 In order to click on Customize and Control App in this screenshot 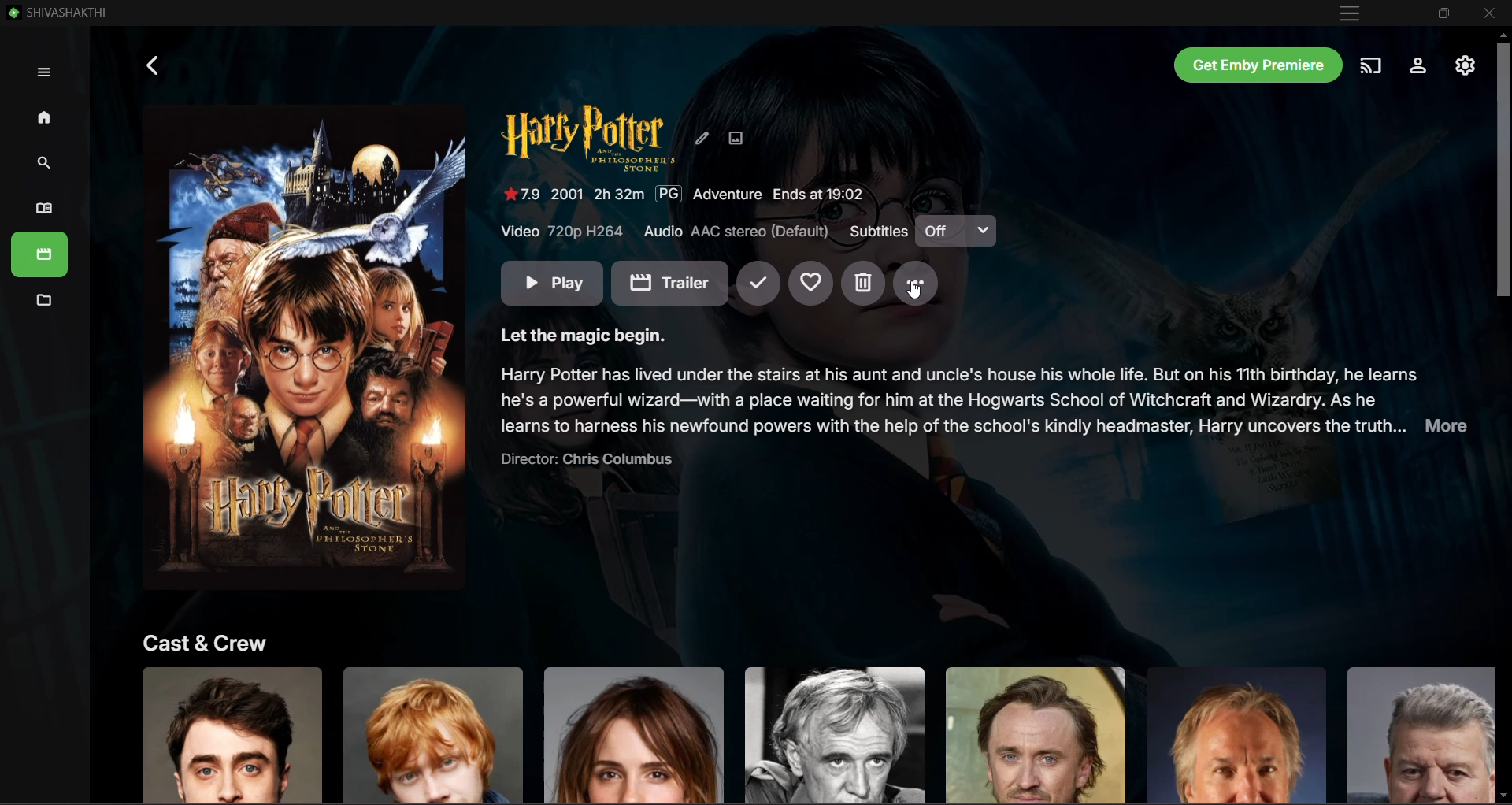, I will do `click(1350, 13)`.